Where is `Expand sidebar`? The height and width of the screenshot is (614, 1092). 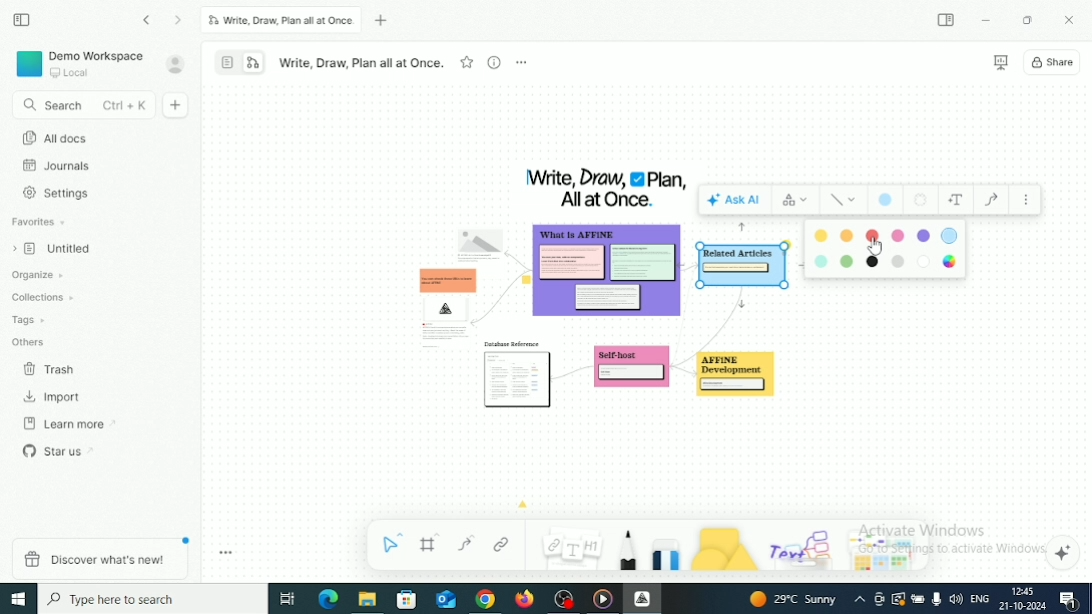 Expand sidebar is located at coordinates (947, 20).